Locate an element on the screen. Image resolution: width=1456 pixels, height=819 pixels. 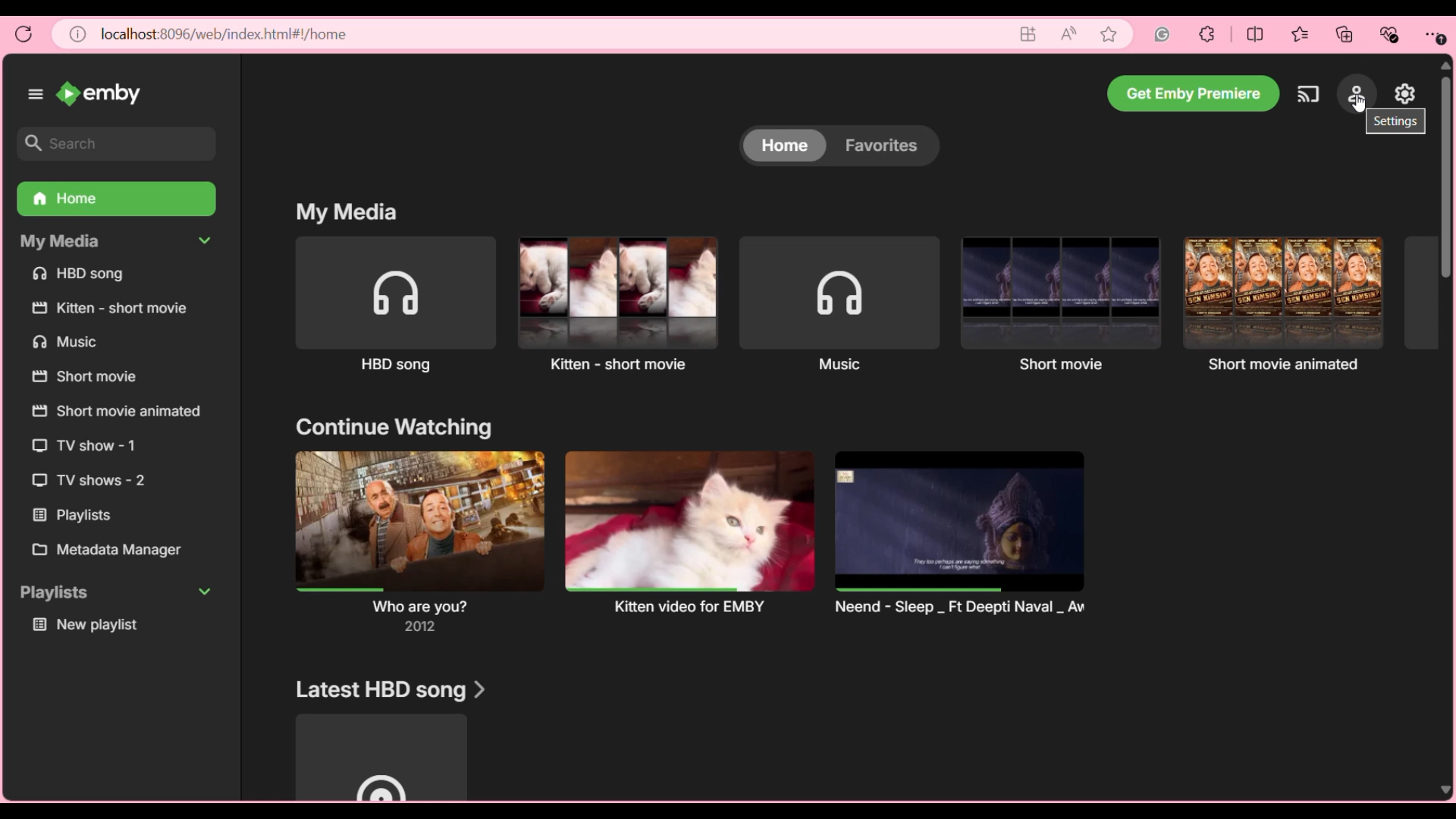
Search box is located at coordinates (118, 143).